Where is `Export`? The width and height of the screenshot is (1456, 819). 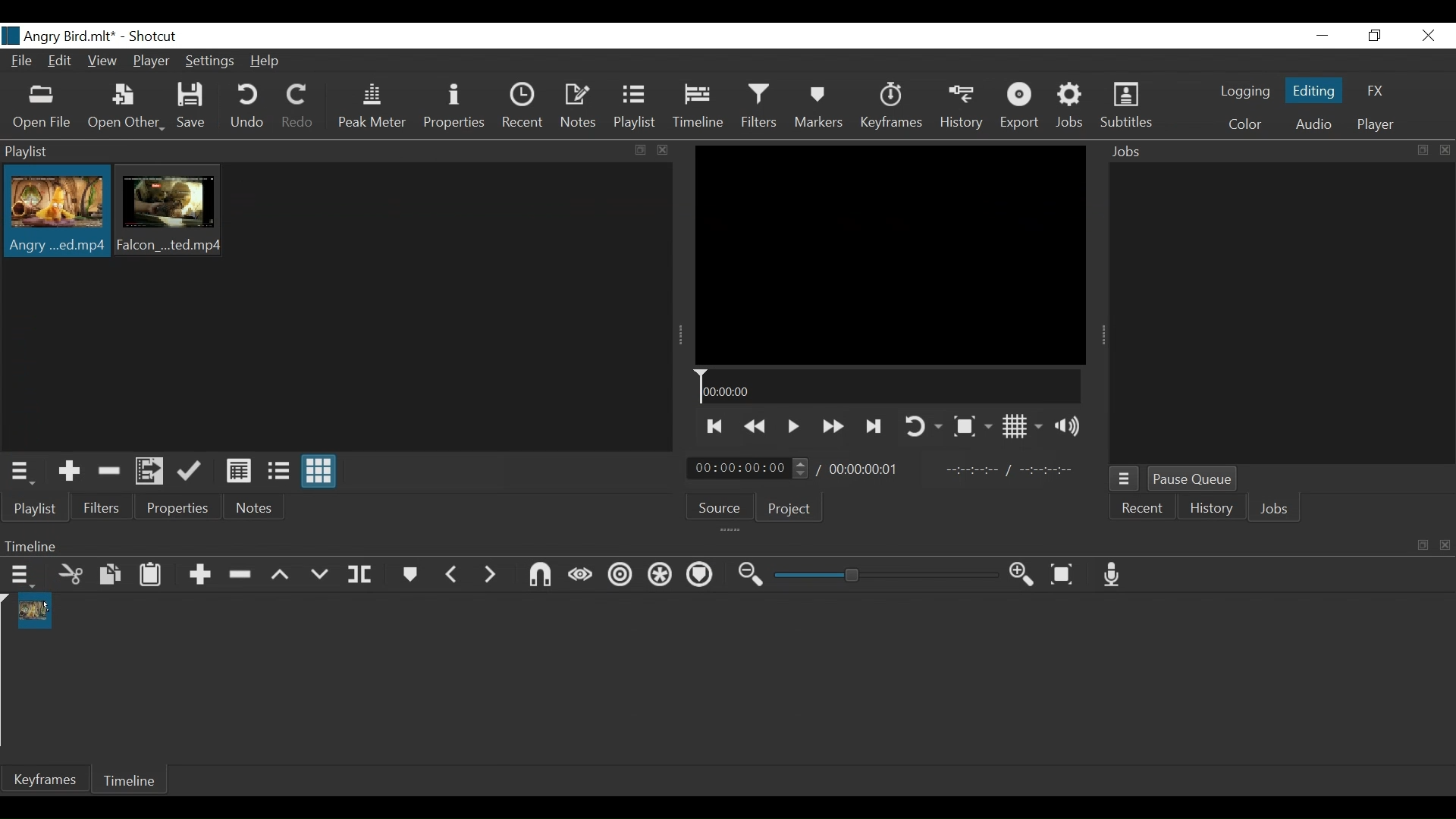 Export is located at coordinates (1021, 108).